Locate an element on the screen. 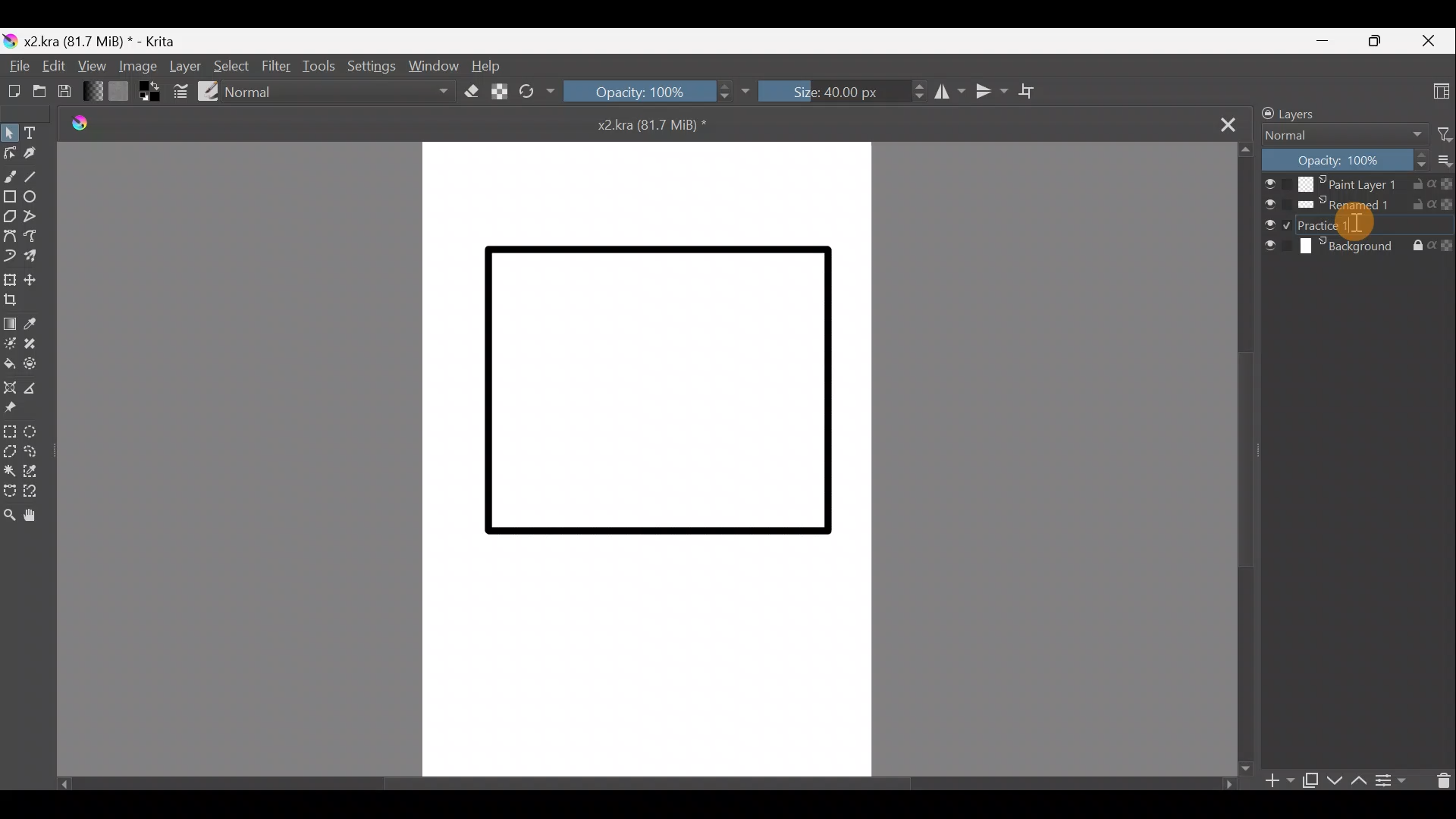 The image size is (1456, 819). Normal Blending mode is located at coordinates (1341, 136).